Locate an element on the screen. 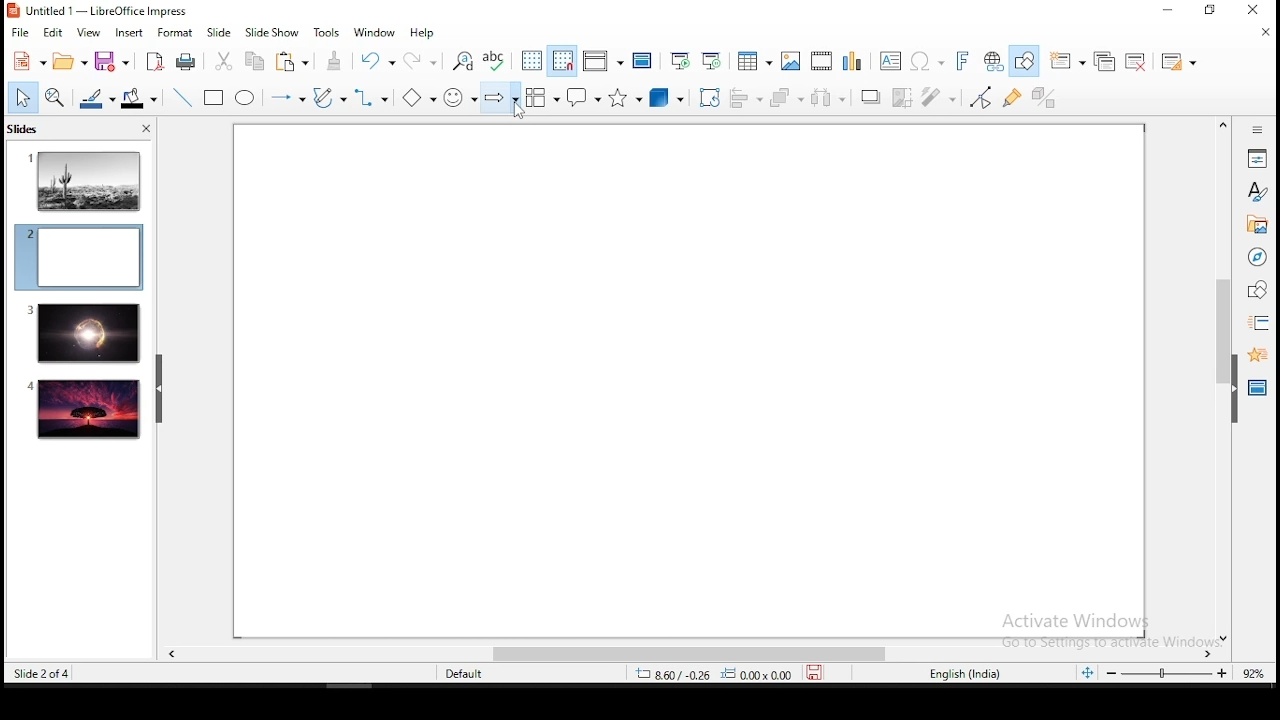 Image resolution: width=1280 pixels, height=720 pixels. gallery is located at coordinates (1257, 227).